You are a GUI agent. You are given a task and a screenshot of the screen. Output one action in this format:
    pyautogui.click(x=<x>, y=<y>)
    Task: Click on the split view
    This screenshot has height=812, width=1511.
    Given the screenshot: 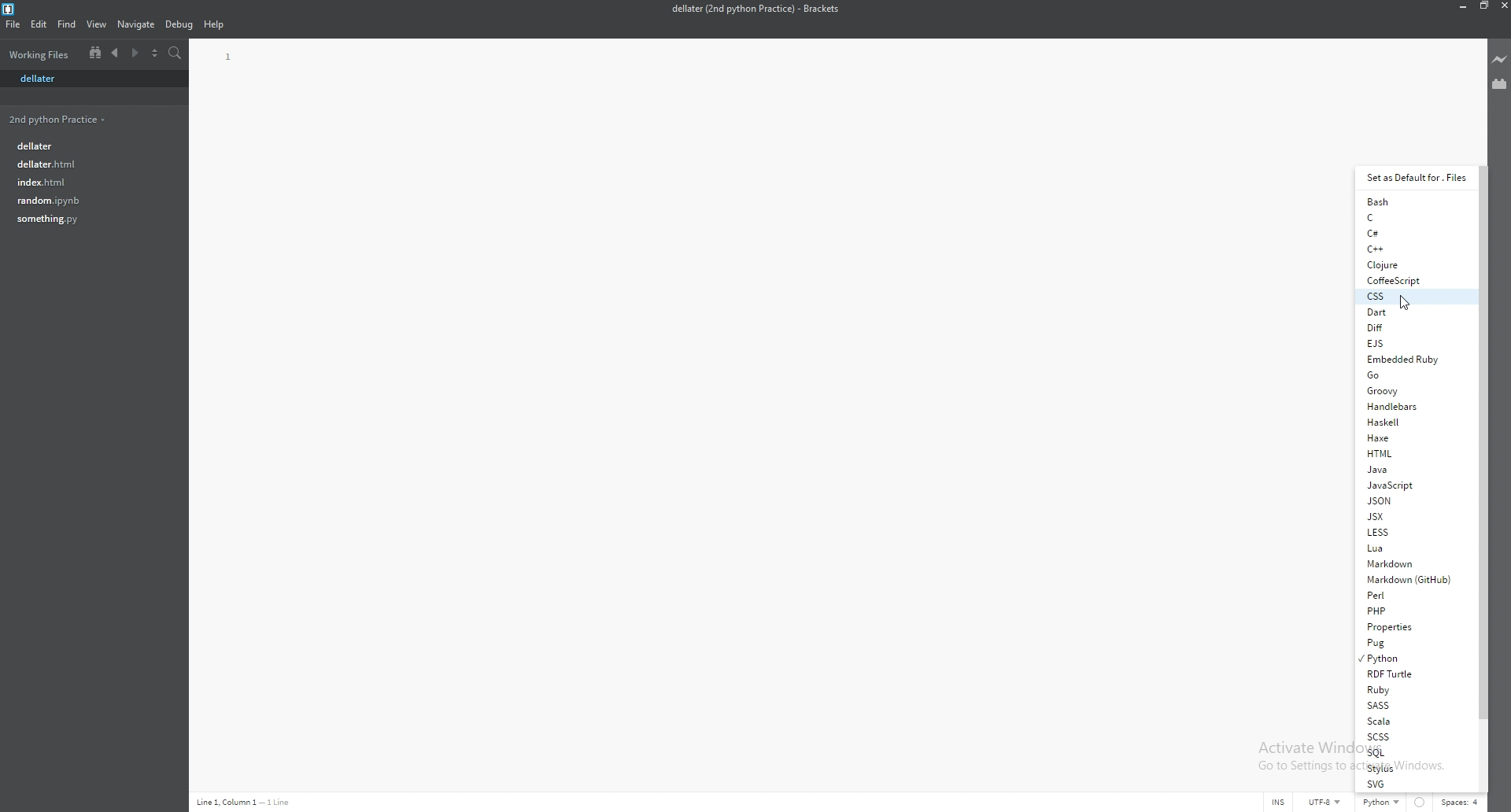 What is the action you would take?
    pyautogui.click(x=154, y=54)
    